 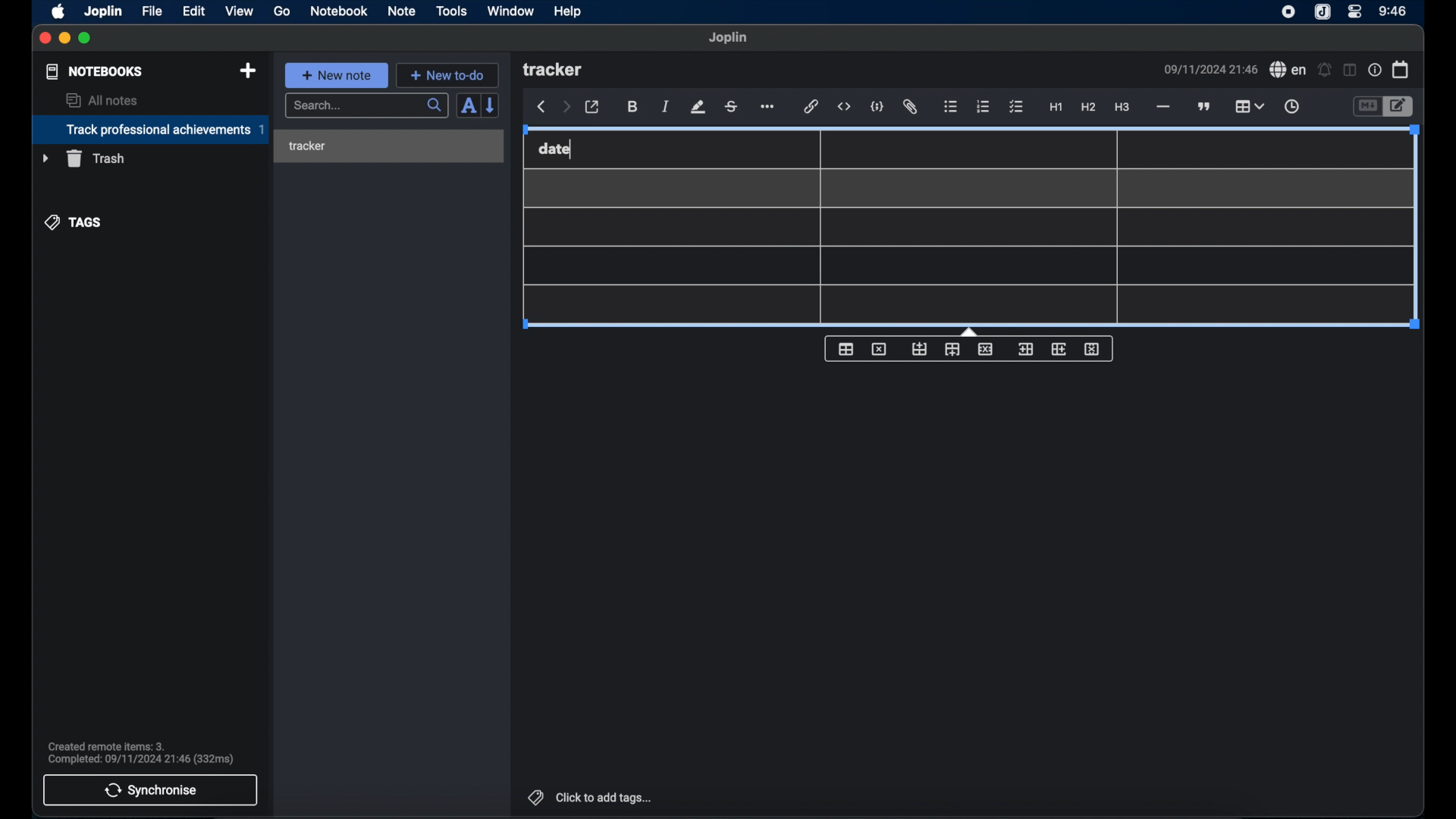 I want to click on track professional achievements, so click(x=149, y=130).